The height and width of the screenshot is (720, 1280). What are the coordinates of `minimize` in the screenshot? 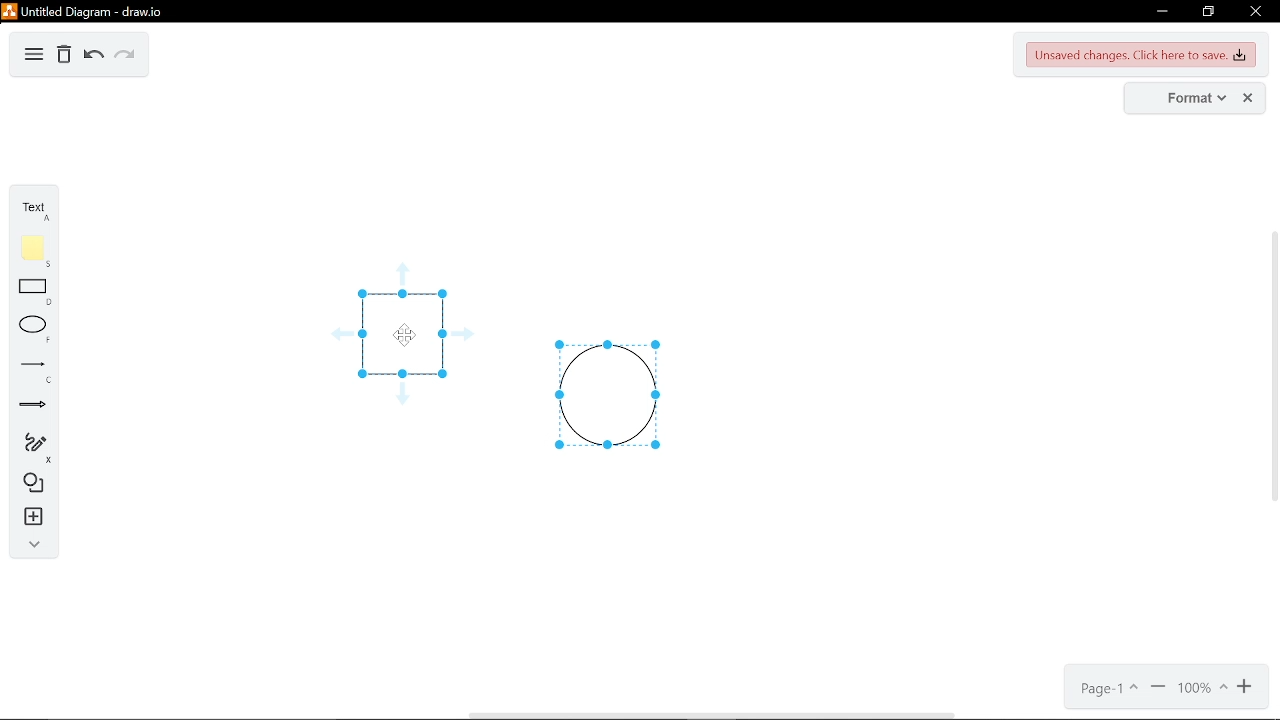 It's located at (1160, 13).